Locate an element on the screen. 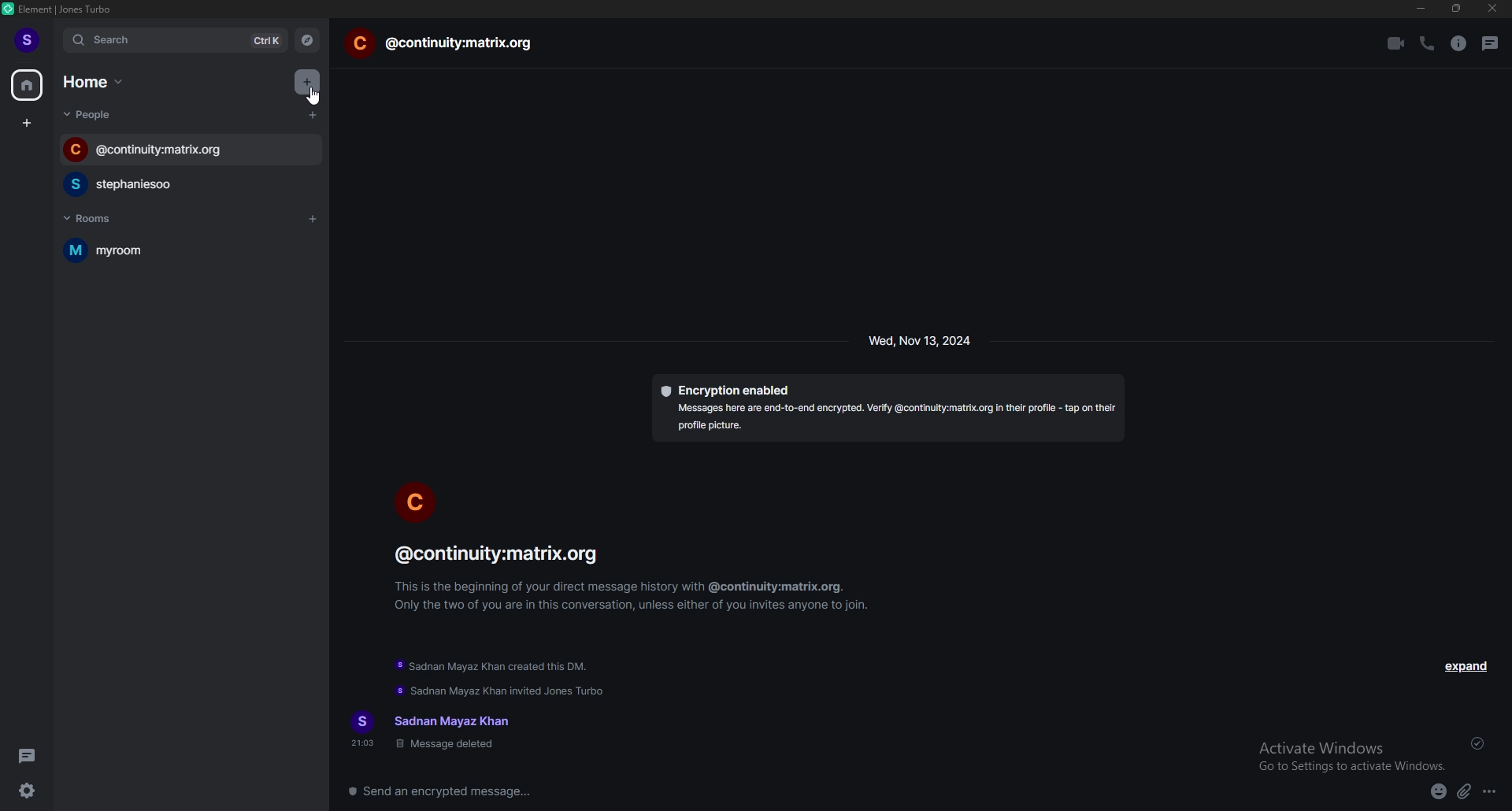 This screenshot has height=811, width=1512. chat is located at coordinates (192, 150).